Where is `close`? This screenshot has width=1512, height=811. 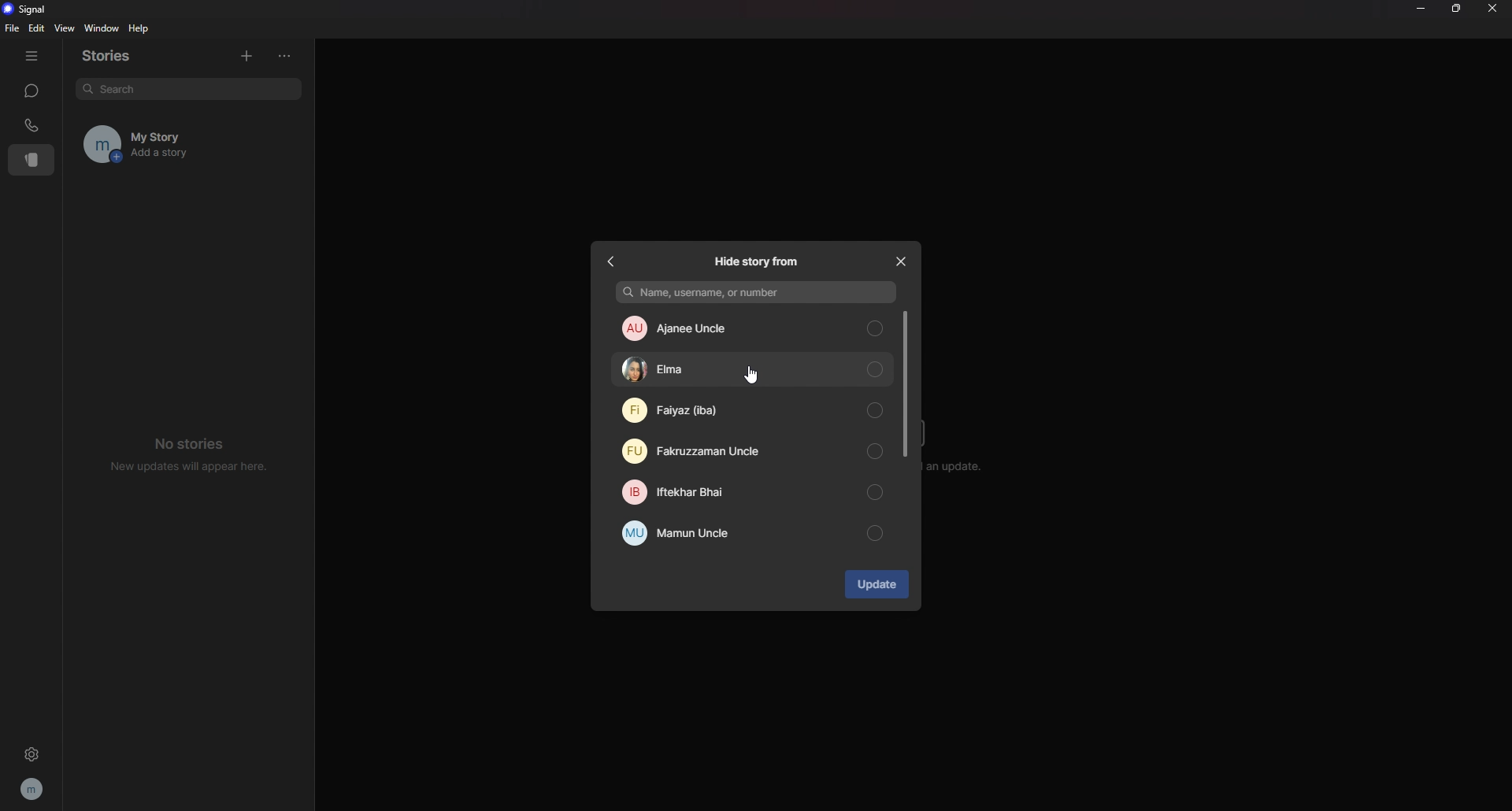
close is located at coordinates (900, 259).